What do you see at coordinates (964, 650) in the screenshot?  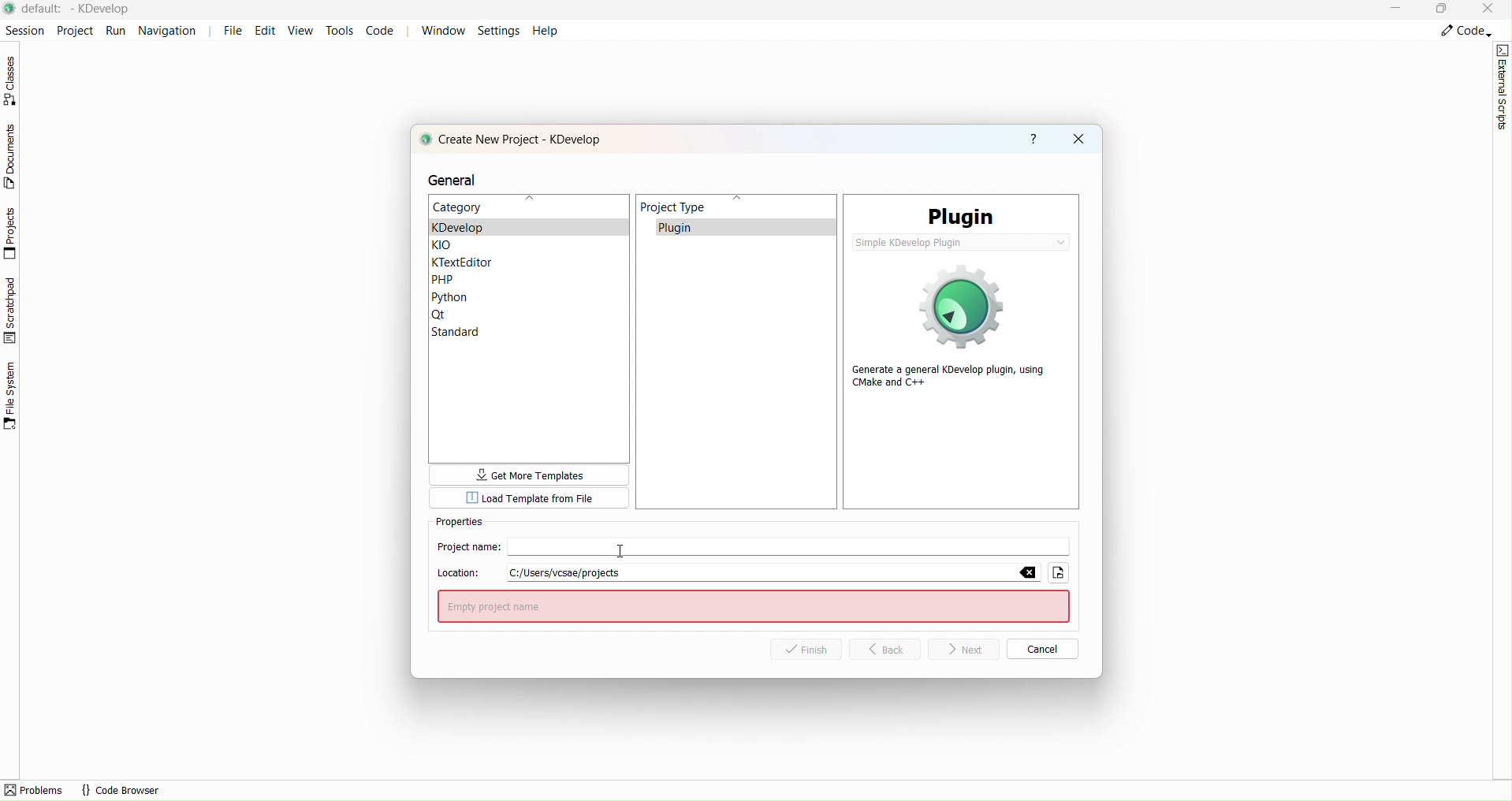 I see `Next` at bounding box center [964, 650].